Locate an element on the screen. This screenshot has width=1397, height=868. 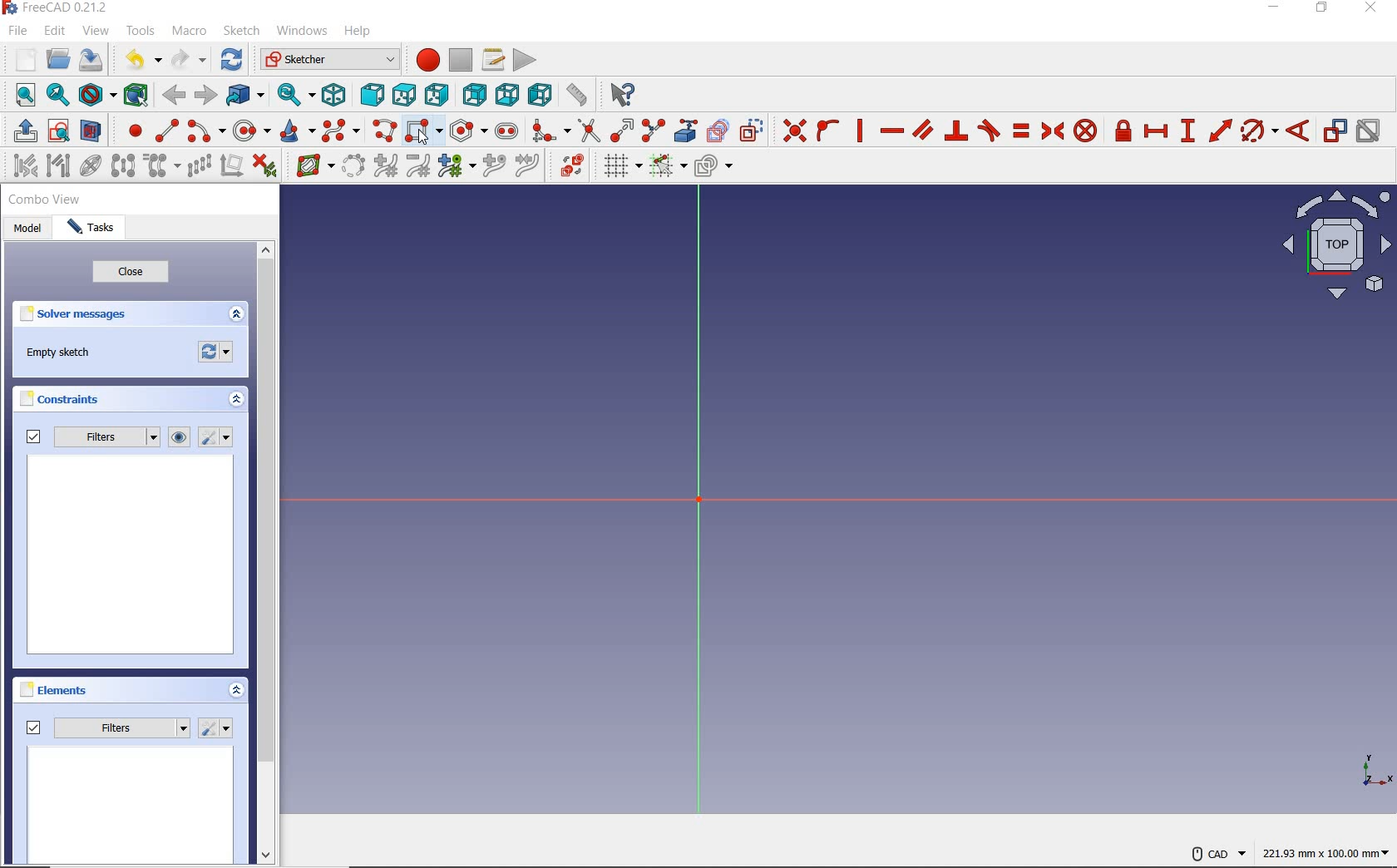
constrain block is located at coordinates (1085, 131).